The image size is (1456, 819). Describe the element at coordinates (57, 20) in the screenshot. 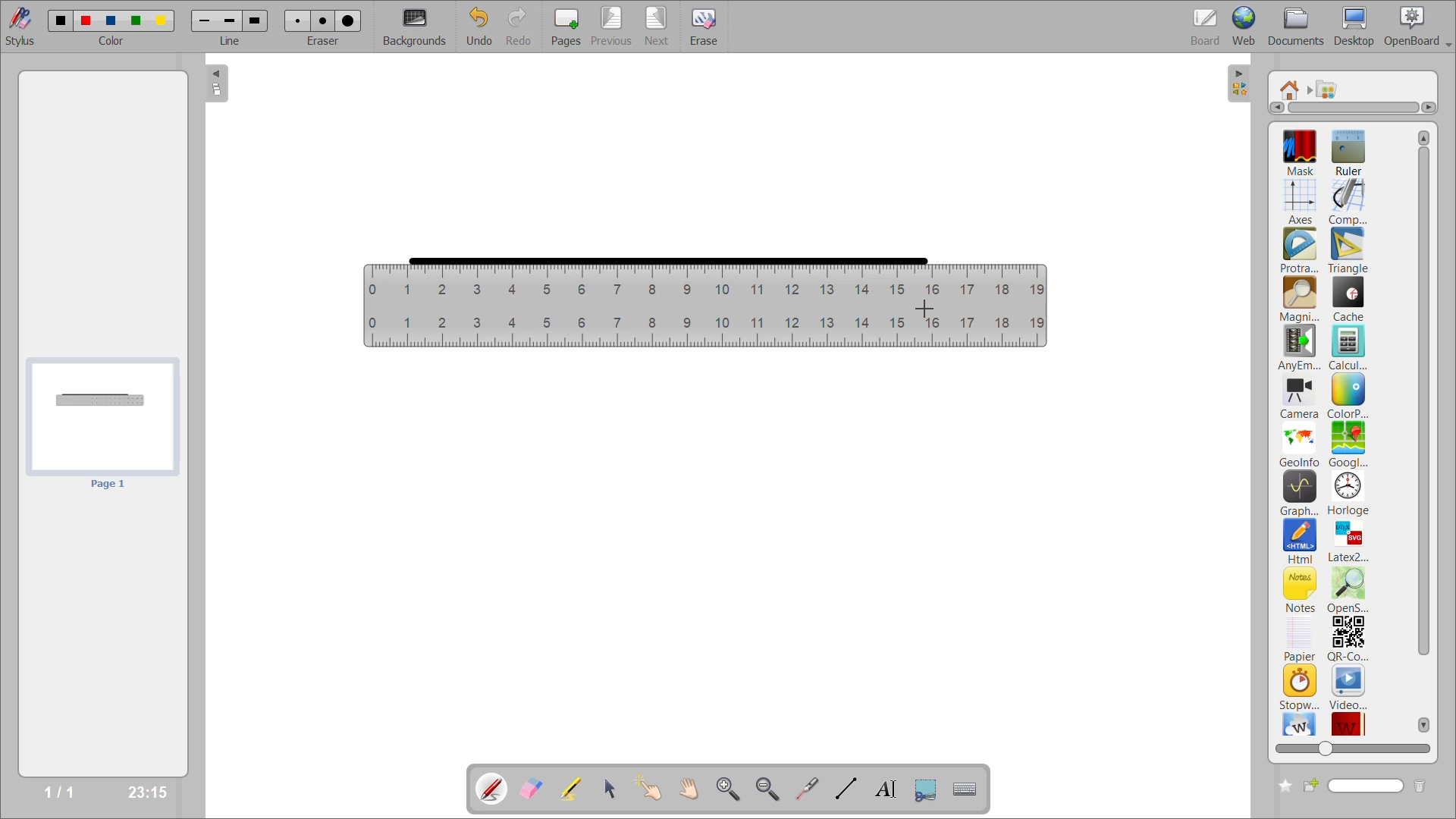

I see `color 1` at that location.